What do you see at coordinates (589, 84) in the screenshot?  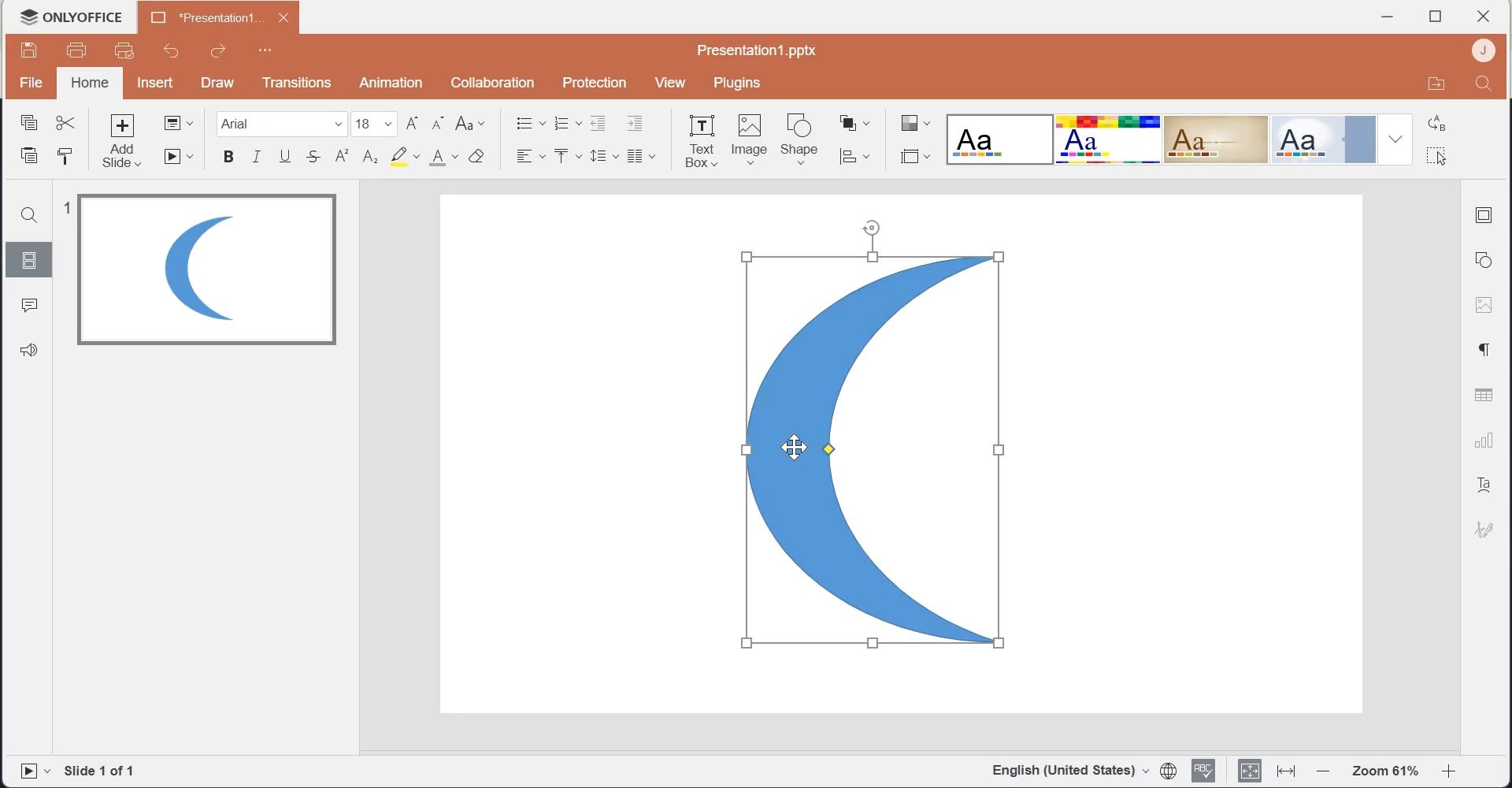 I see `Protection` at bounding box center [589, 84].